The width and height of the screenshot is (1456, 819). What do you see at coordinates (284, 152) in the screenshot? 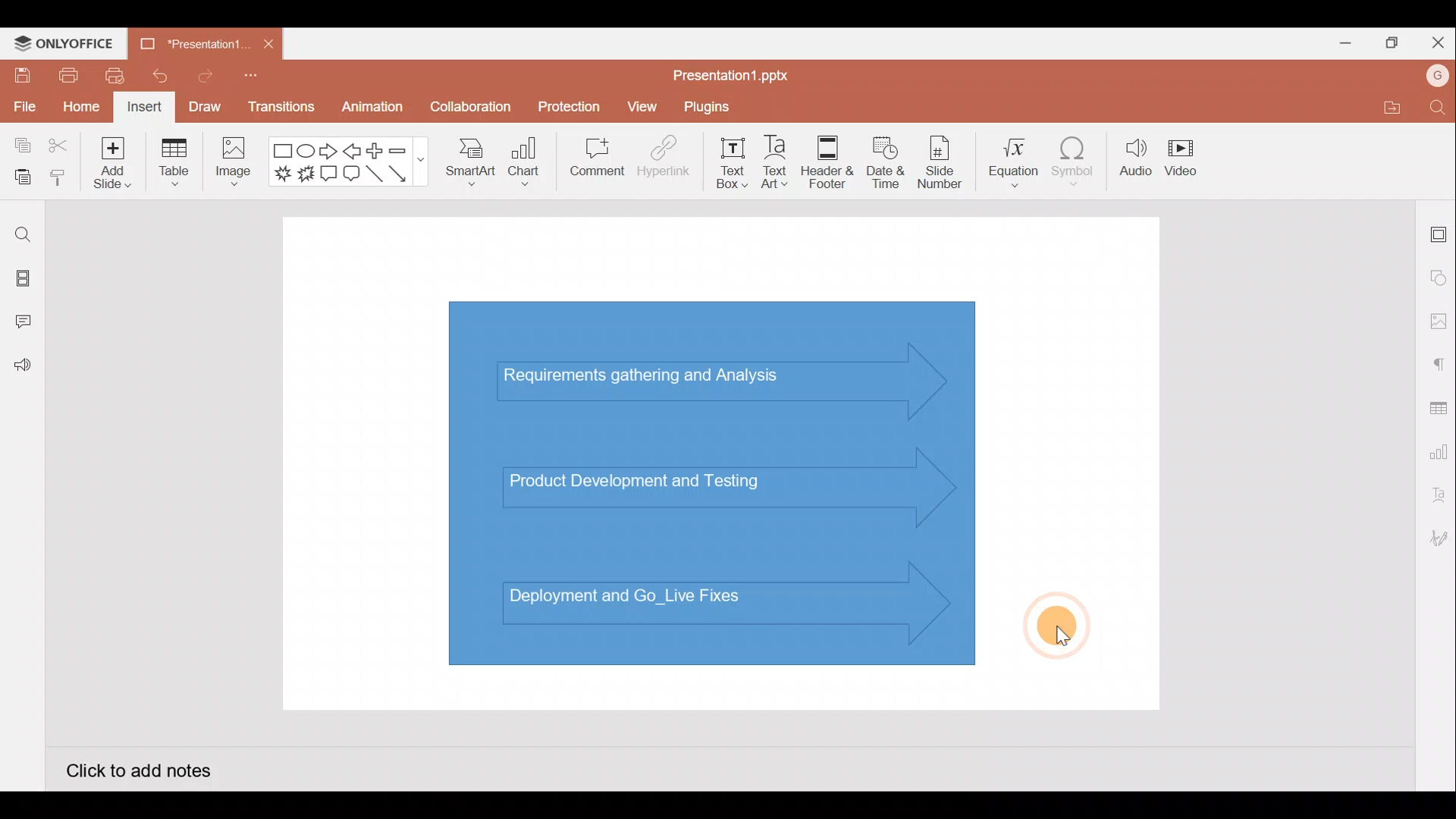
I see `Rectangle` at bounding box center [284, 152].